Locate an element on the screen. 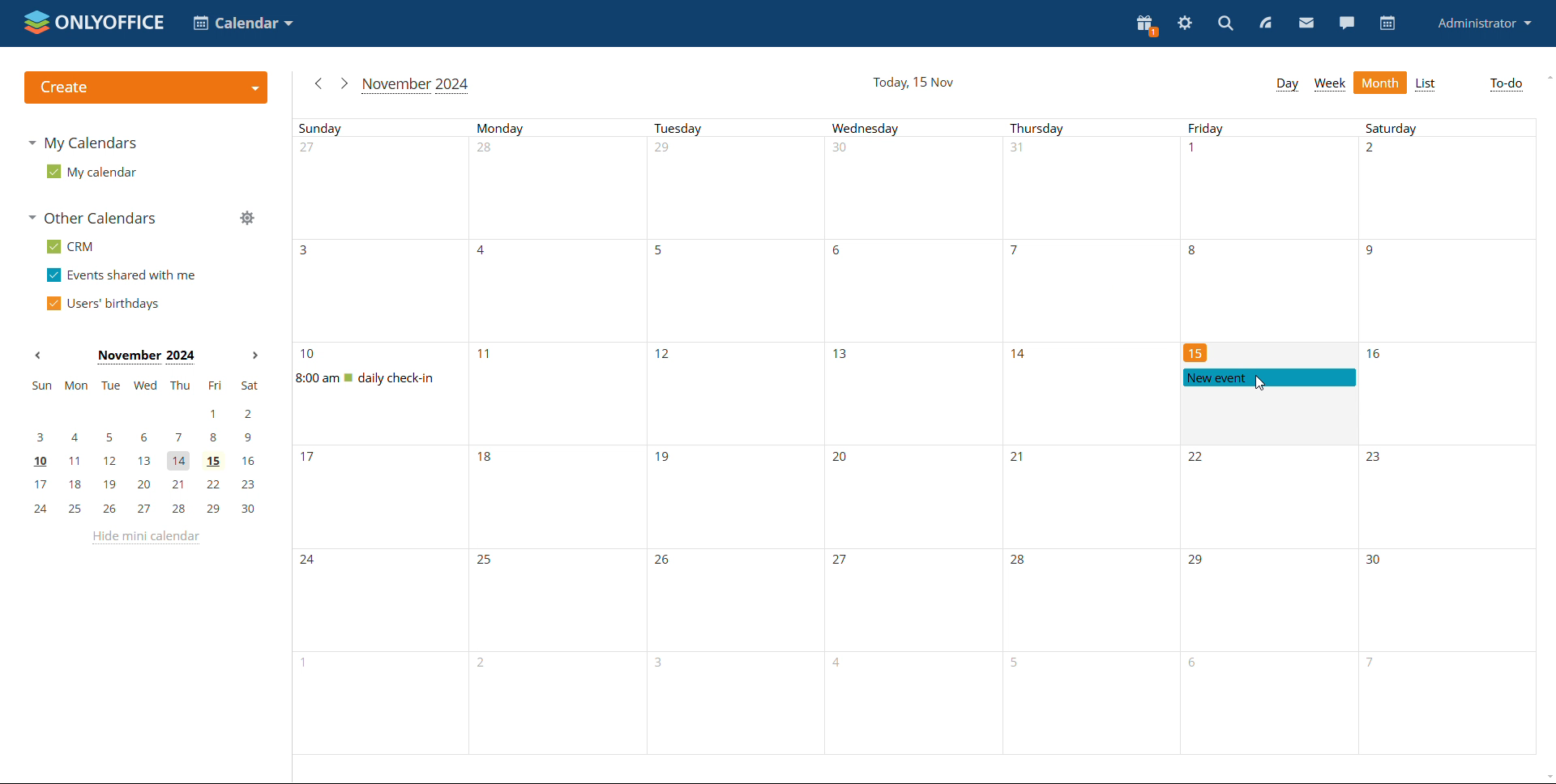 The image size is (1556, 784). individual day is located at coordinates (1267, 128).